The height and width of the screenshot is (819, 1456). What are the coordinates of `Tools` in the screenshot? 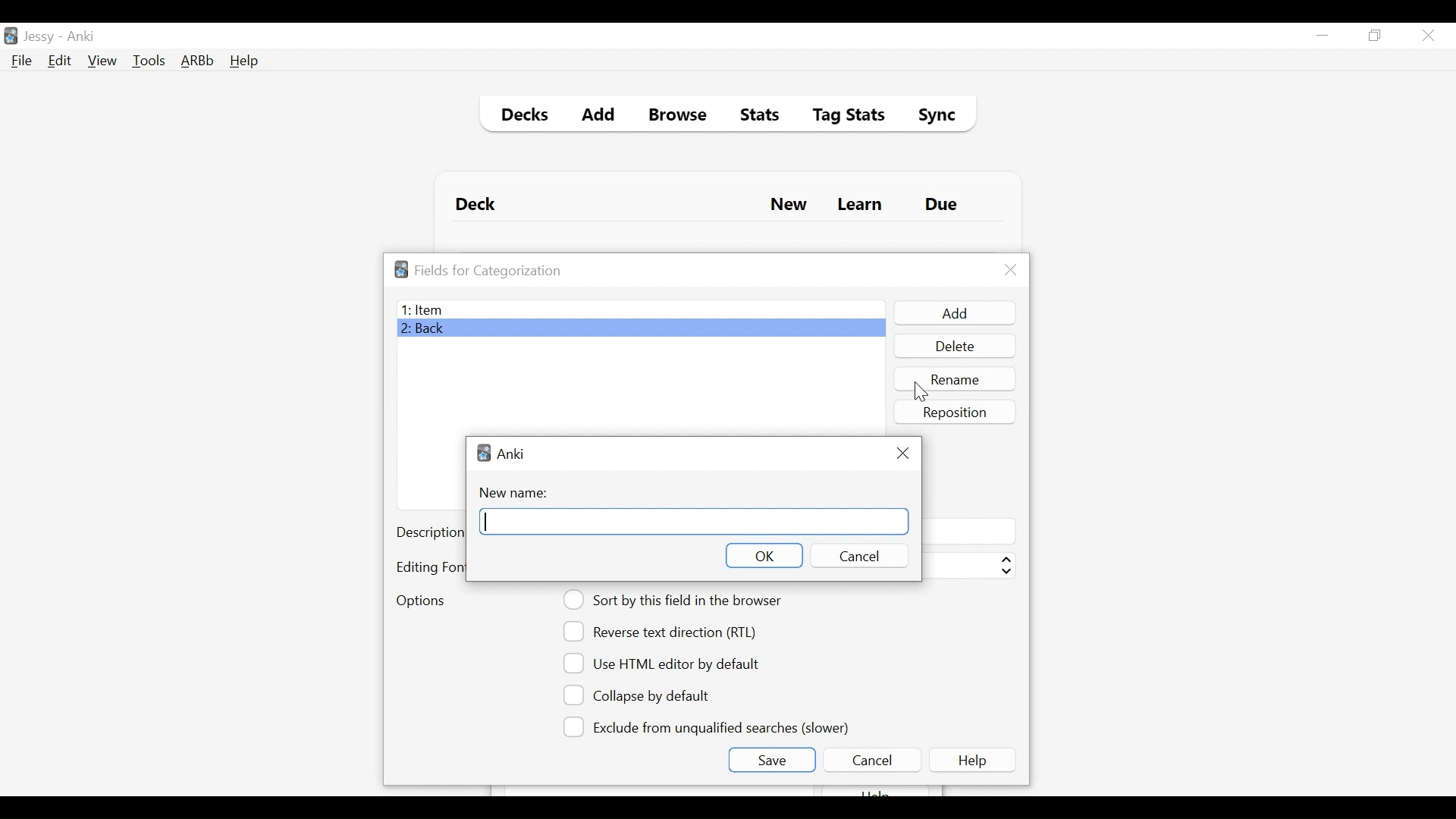 It's located at (149, 60).